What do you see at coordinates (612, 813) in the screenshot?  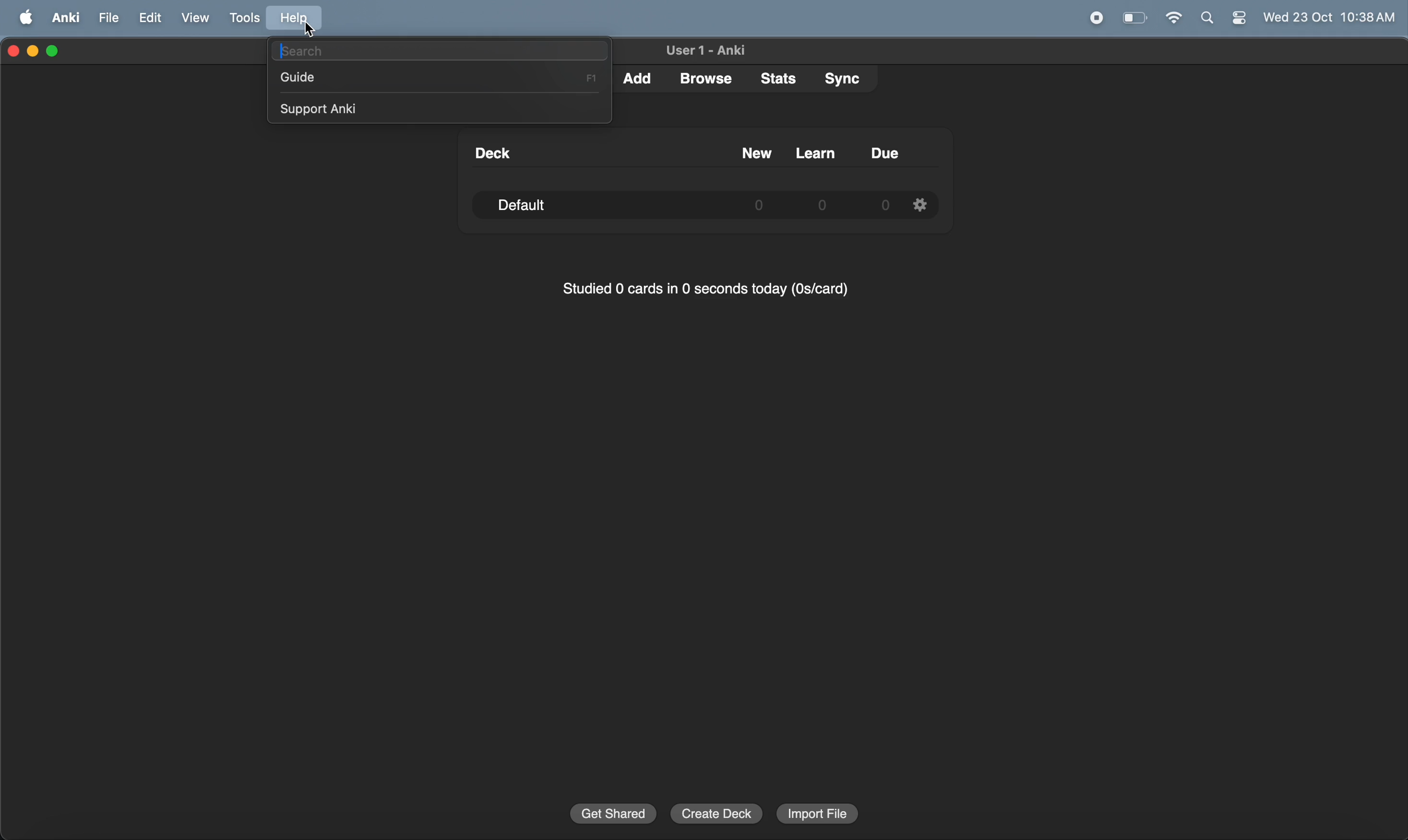 I see `get shared` at bounding box center [612, 813].